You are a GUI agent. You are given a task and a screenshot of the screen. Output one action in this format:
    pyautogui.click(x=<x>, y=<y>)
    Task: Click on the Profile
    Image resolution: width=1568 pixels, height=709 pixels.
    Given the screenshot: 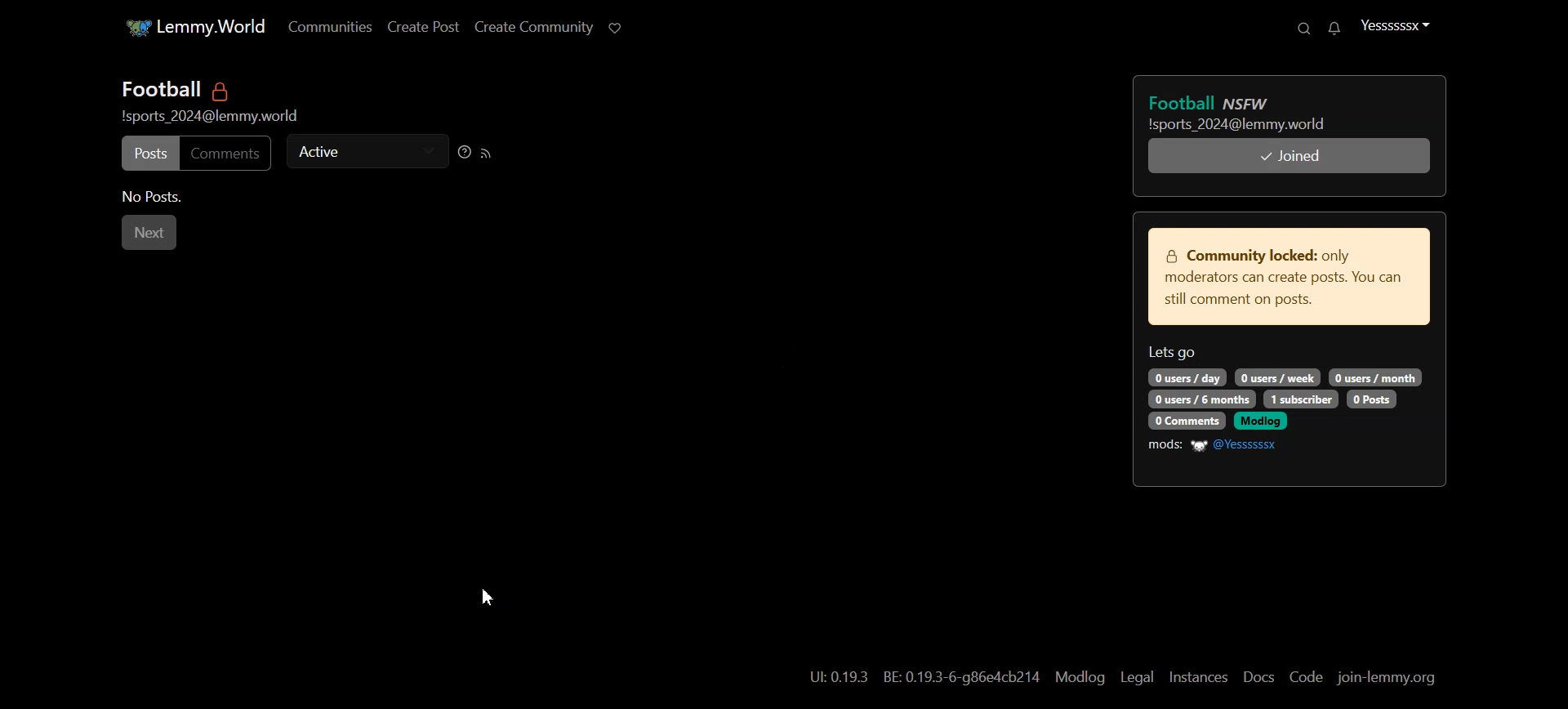 What is the action you would take?
    pyautogui.click(x=1399, y=25)
    